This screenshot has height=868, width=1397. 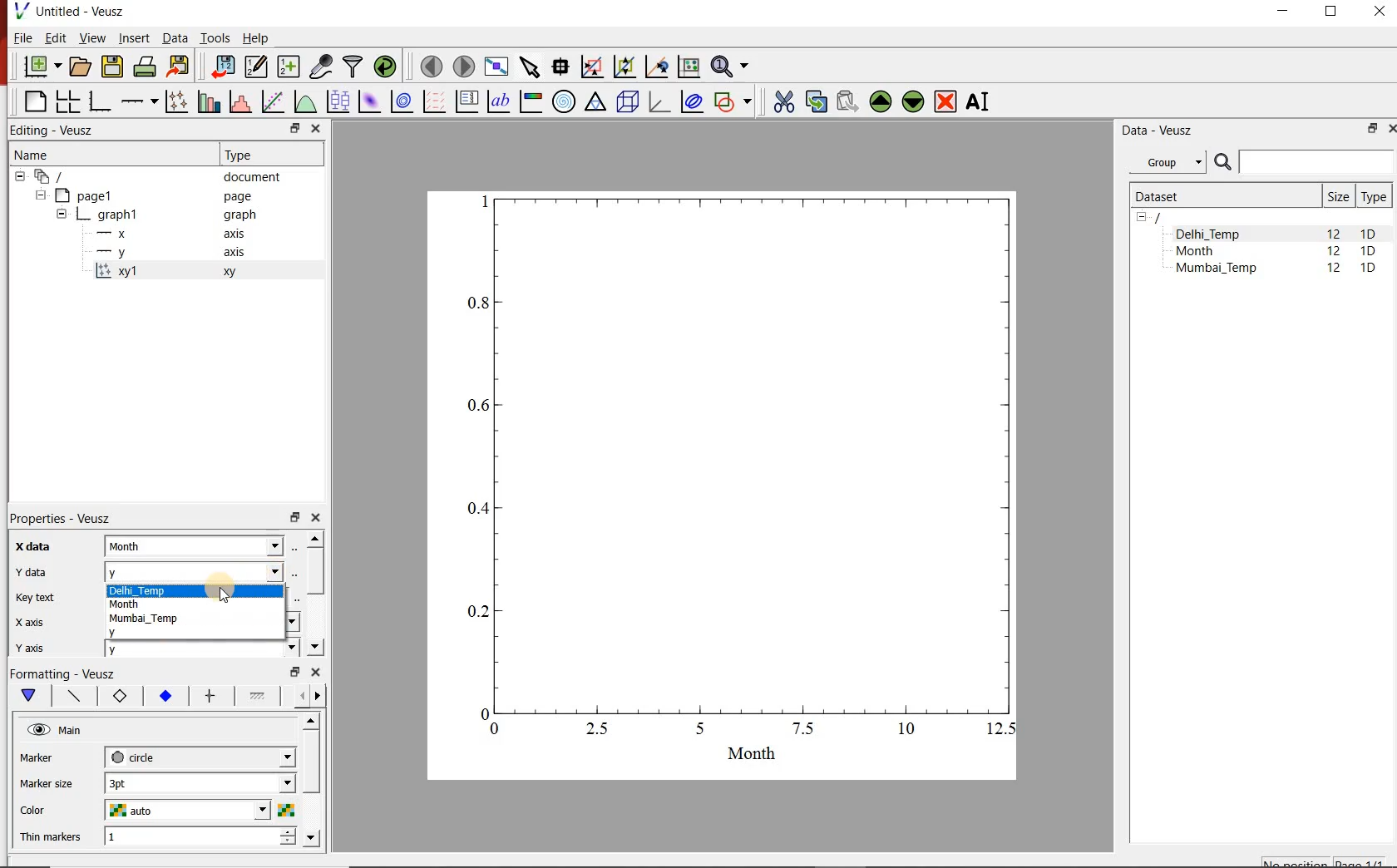 What do you see at coordinates (133, 37) in the screenshot?
I see `Insert` at bounding box center [133, 37].